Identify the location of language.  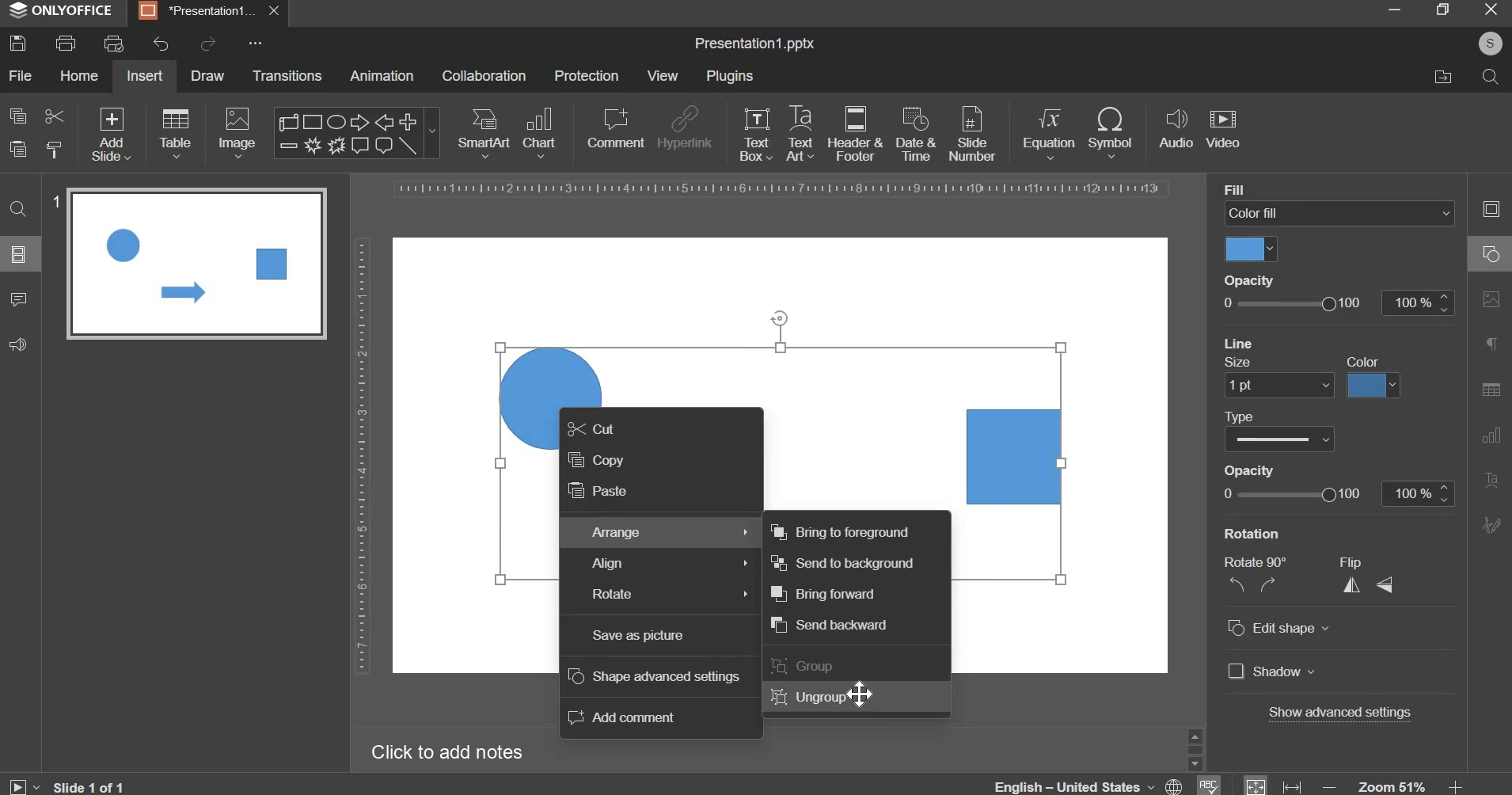
(1207, 784).